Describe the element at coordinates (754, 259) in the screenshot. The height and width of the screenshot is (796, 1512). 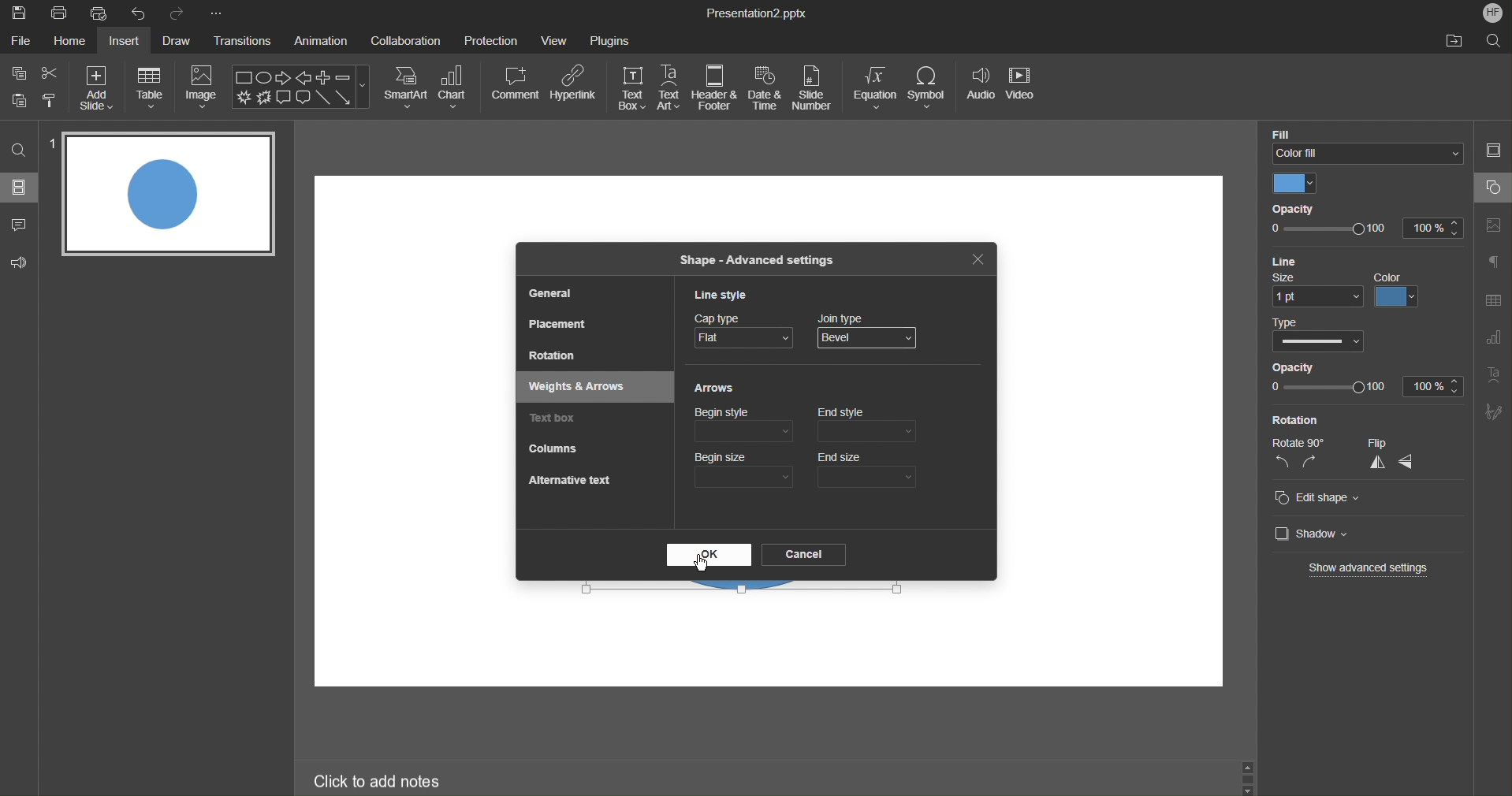
I see `Shape - Advanced Settings` at that location.